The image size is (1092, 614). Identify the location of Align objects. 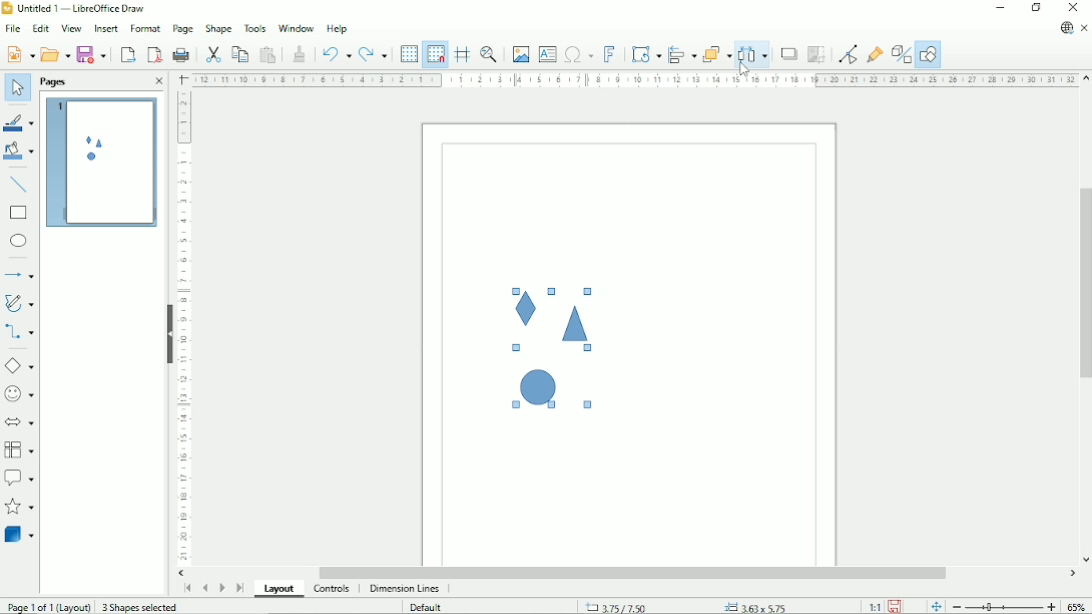
(682, 54).